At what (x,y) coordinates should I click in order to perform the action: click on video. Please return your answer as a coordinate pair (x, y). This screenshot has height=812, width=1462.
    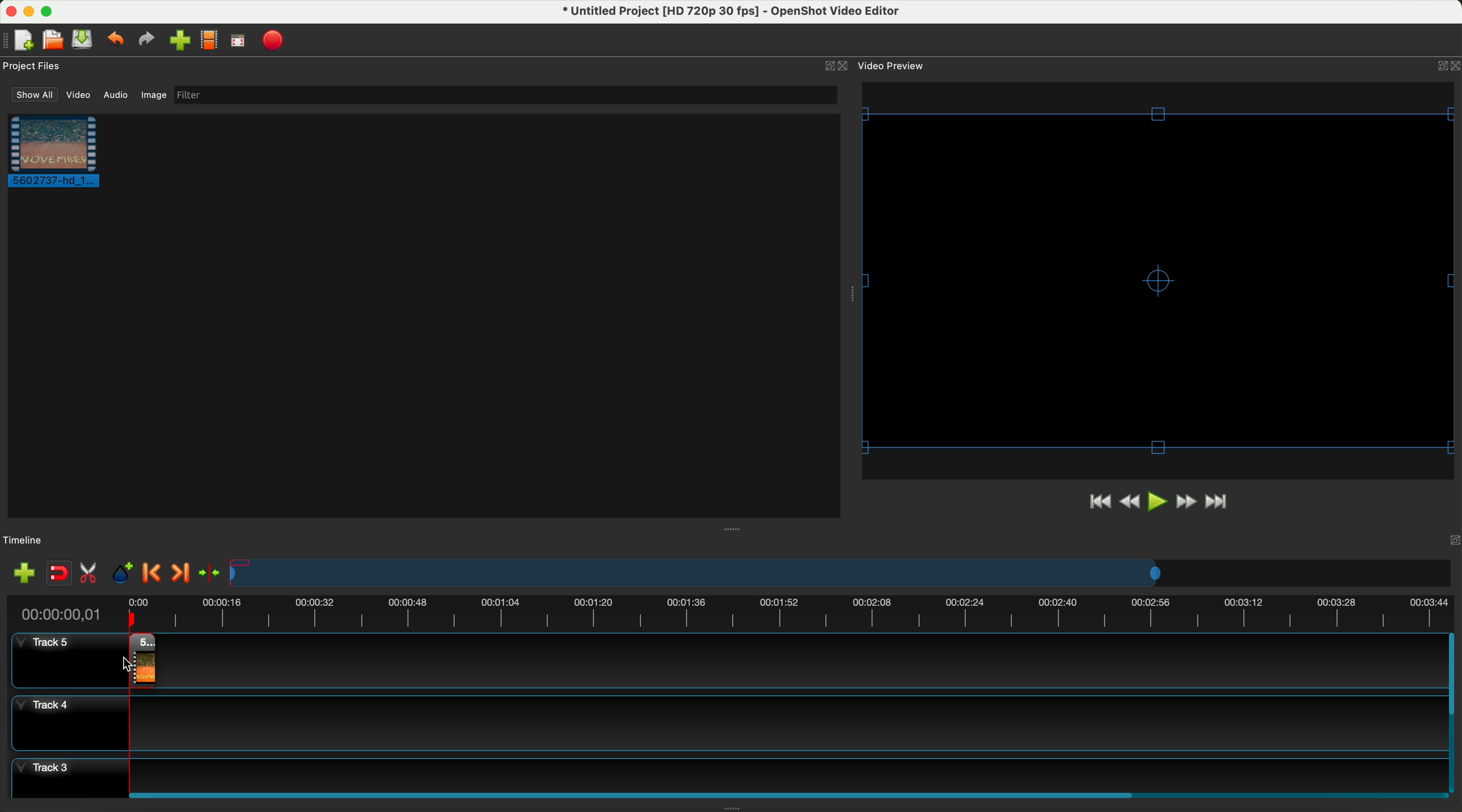
    Looking at the image, I should click on (78, 96).